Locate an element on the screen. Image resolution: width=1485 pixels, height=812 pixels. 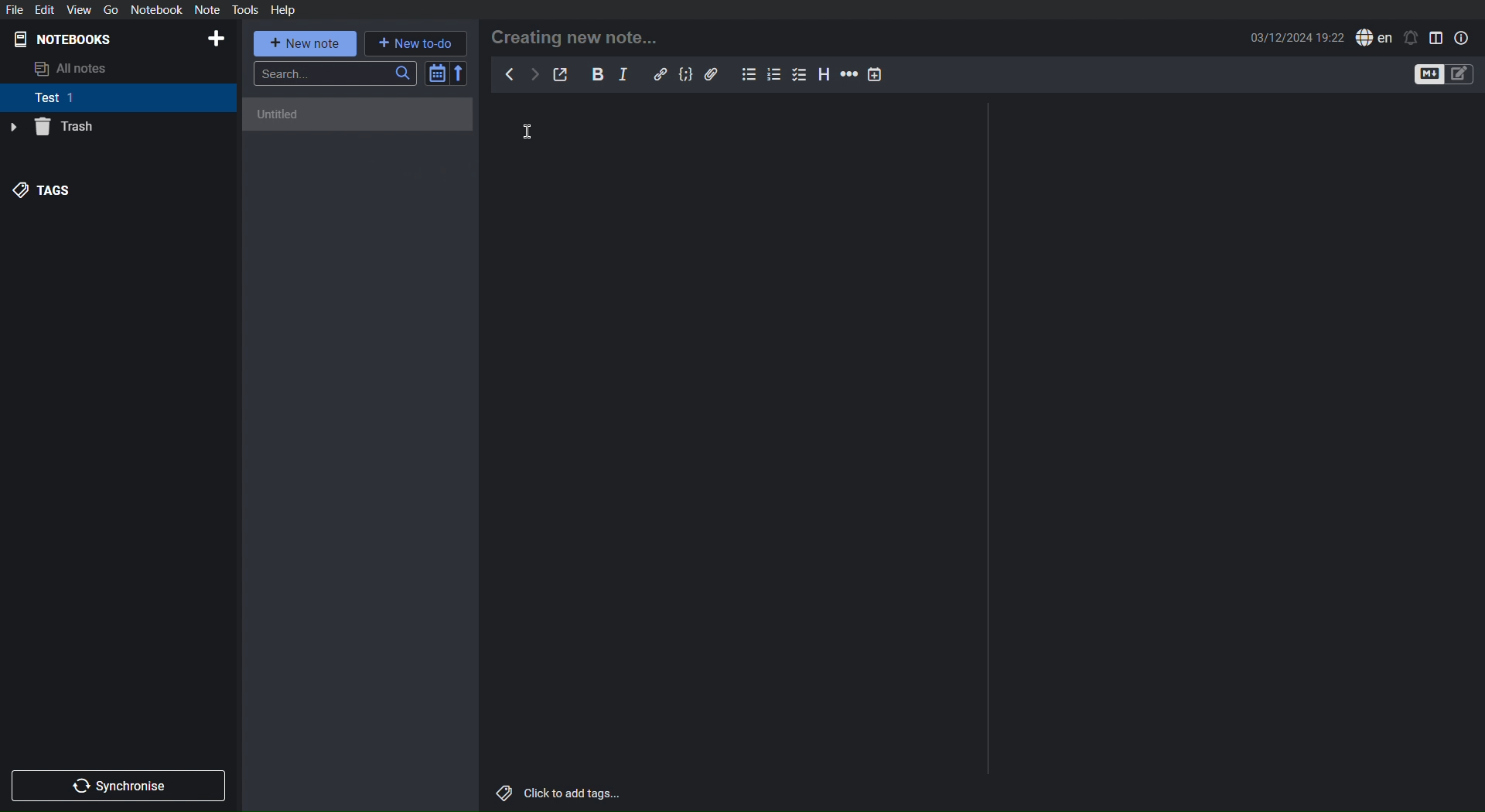
Edit is located at coordinates (44, 10).